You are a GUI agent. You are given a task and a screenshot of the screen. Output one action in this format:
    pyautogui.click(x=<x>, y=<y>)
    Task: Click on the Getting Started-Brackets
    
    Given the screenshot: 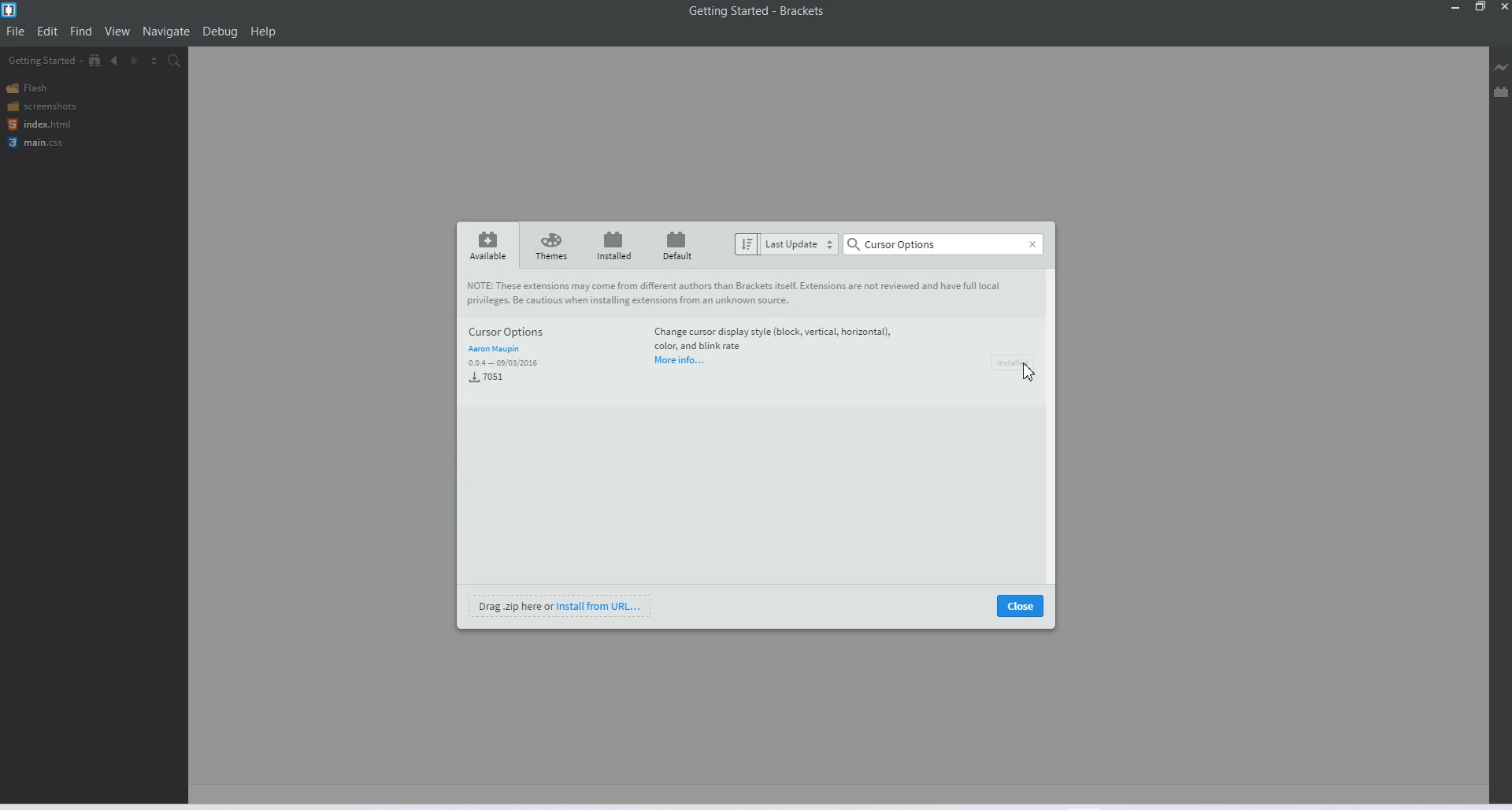 What is the action you would take?
    pyautogui.click(x=757, y=12)
    